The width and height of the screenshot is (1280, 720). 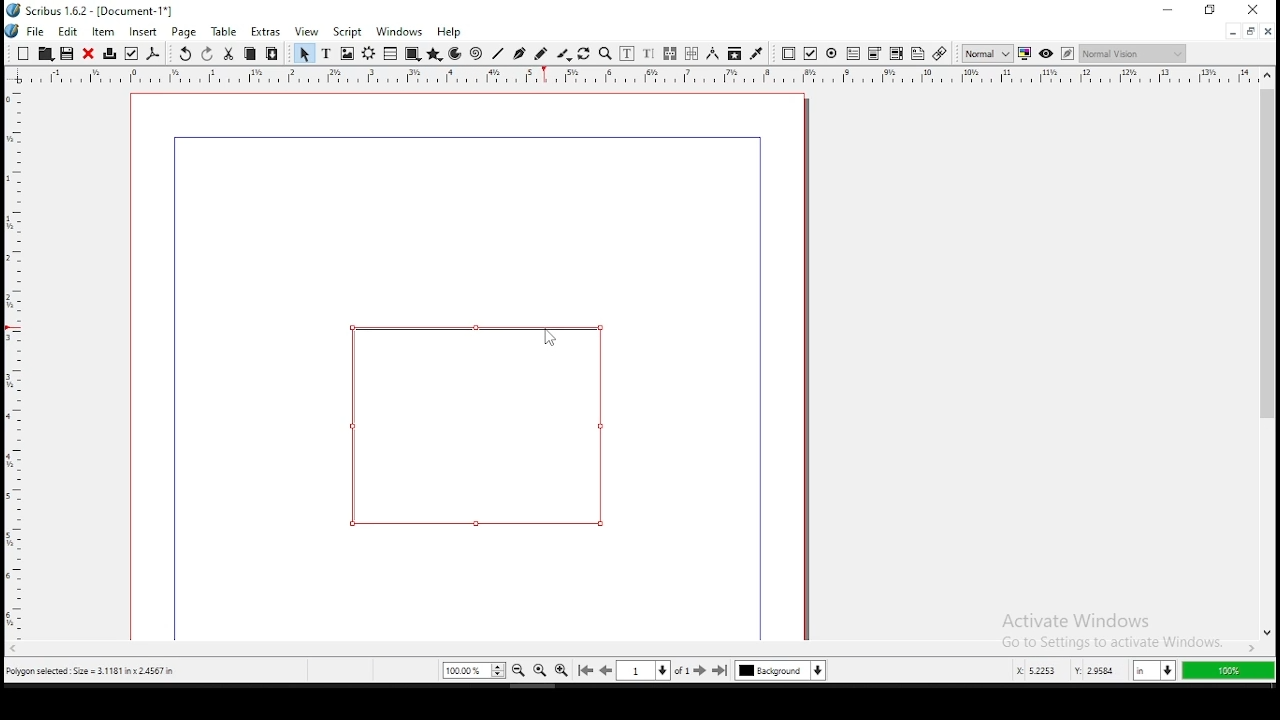 What do you see at coordinates (564, 54) in the screenshot?
I see `calligraphy line` at bounding box center [564, 54].